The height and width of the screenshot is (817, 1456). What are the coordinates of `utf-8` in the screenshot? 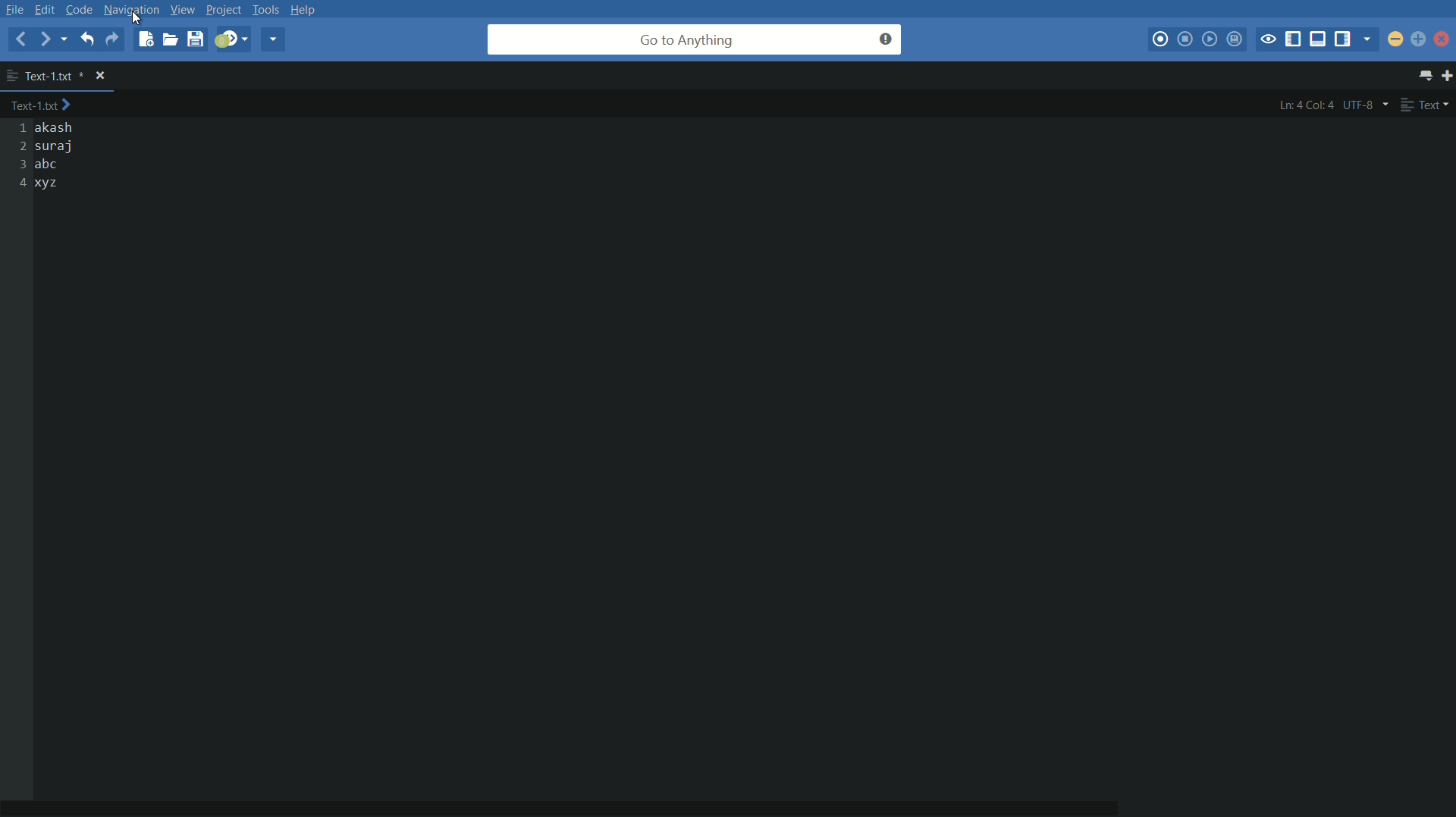 It's located at (1366, 105).